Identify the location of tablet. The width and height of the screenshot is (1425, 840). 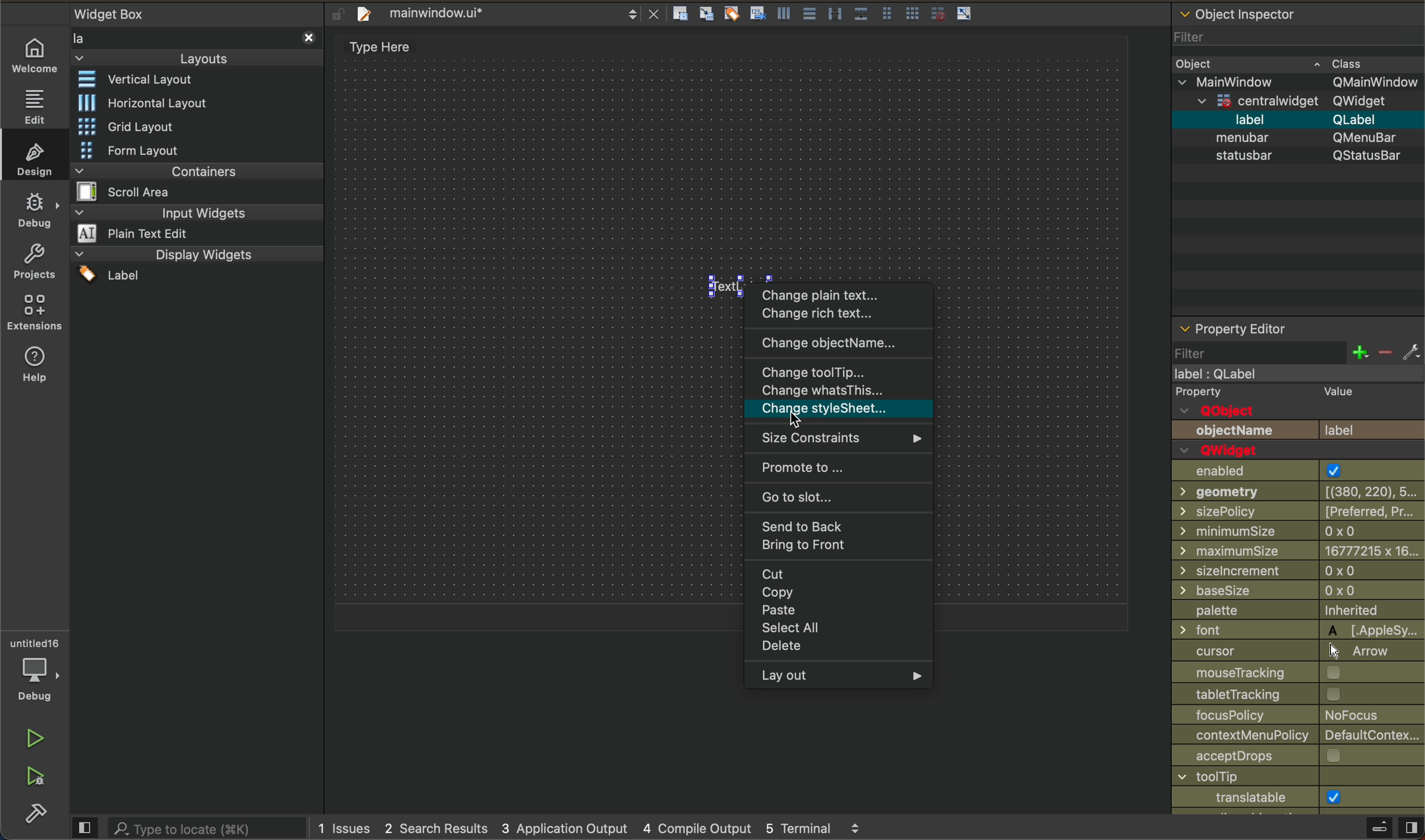
(1299, 696).